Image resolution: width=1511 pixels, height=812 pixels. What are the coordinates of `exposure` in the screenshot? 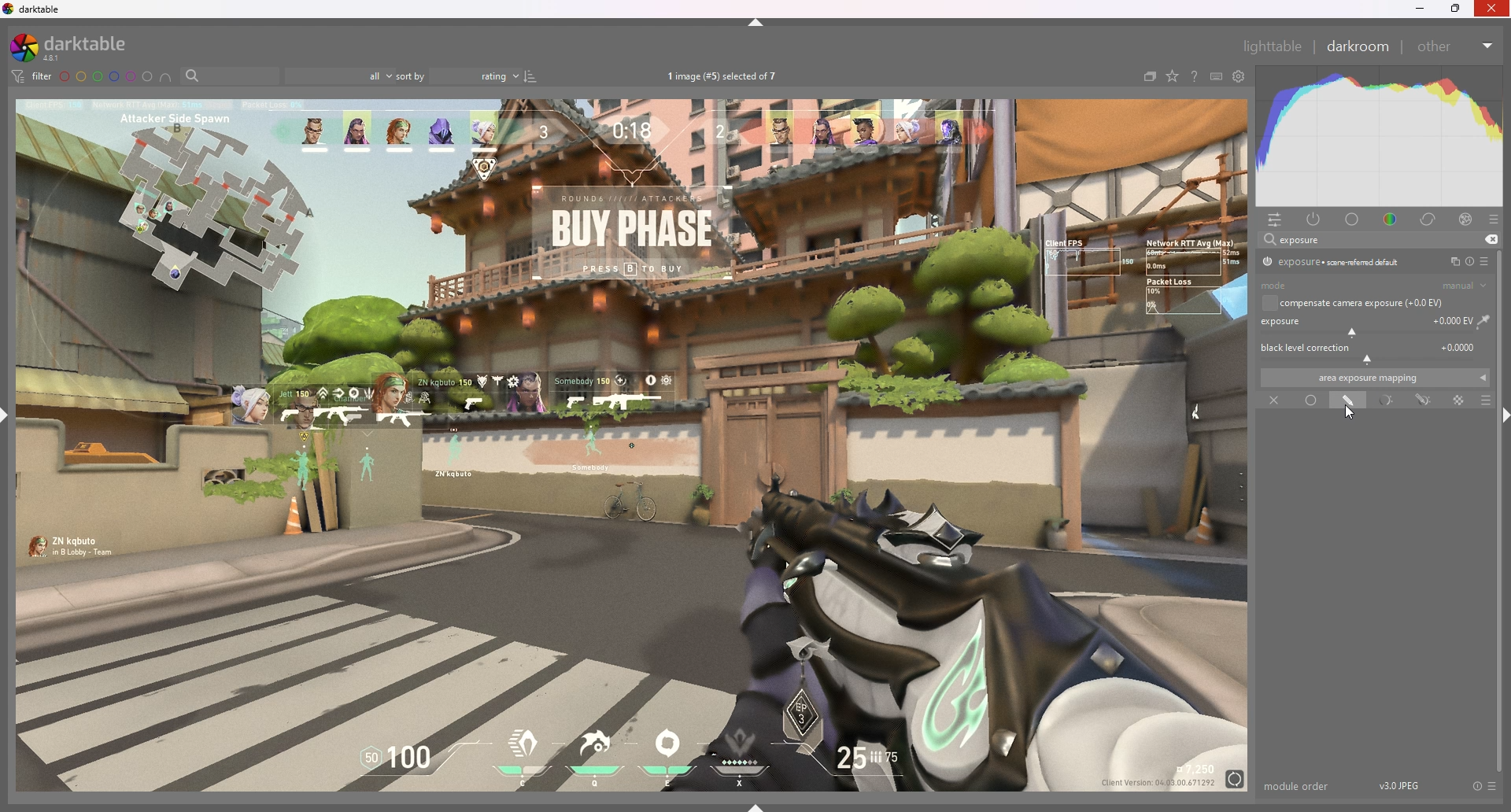 It's located at (1332, 261).